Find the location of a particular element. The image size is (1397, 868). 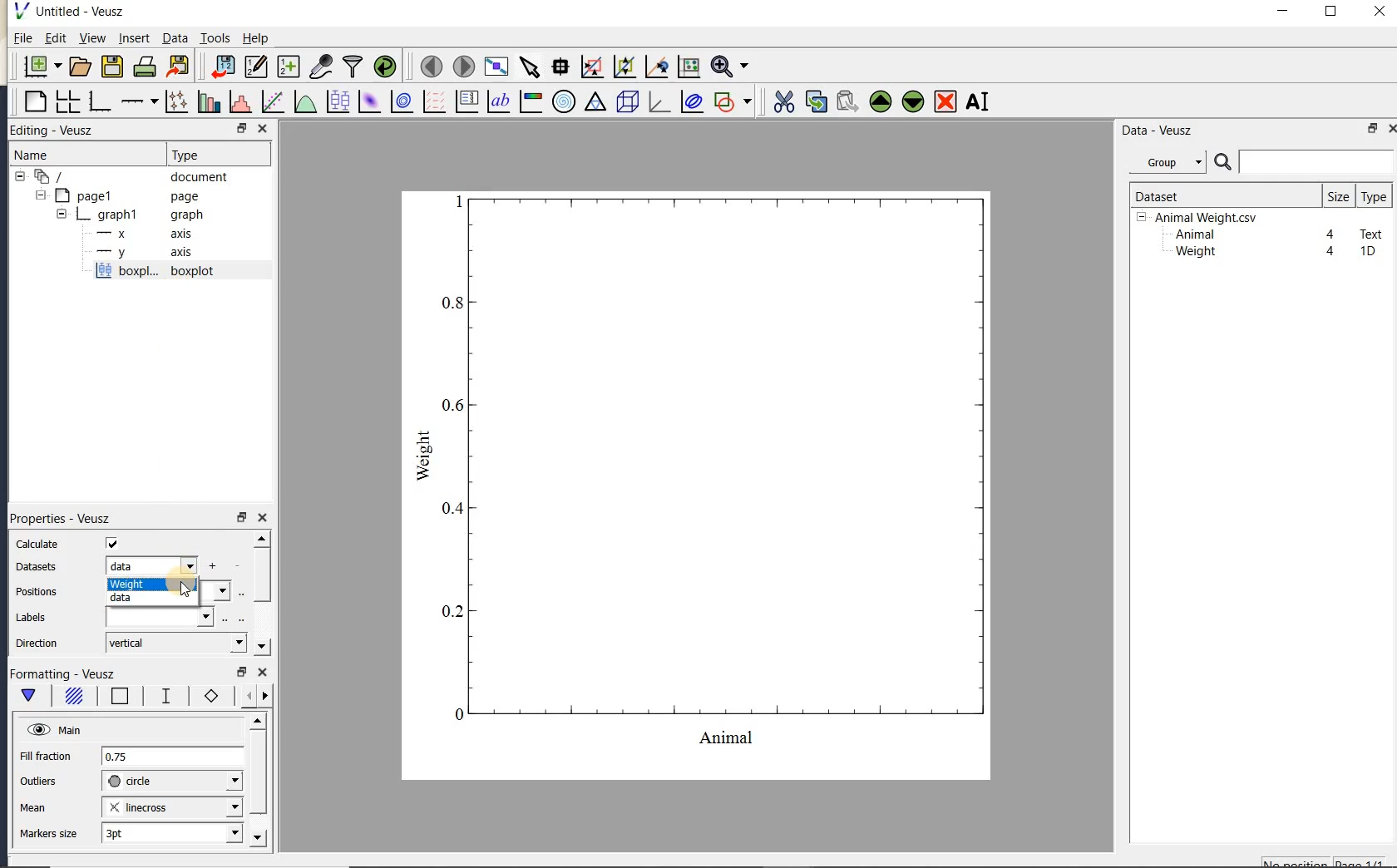

cursor is located at coordinates (188, 593).